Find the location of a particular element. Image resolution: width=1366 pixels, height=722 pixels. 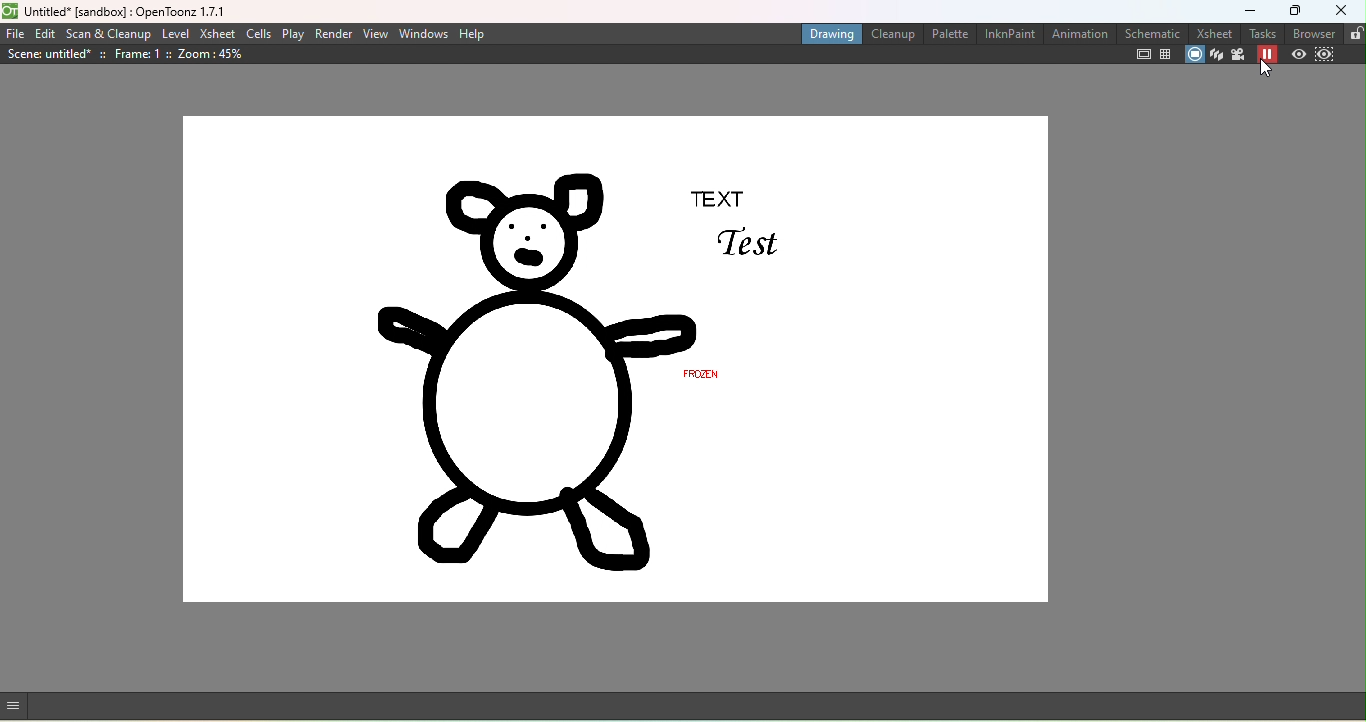

Animation is located at coordinates (1080, 34).